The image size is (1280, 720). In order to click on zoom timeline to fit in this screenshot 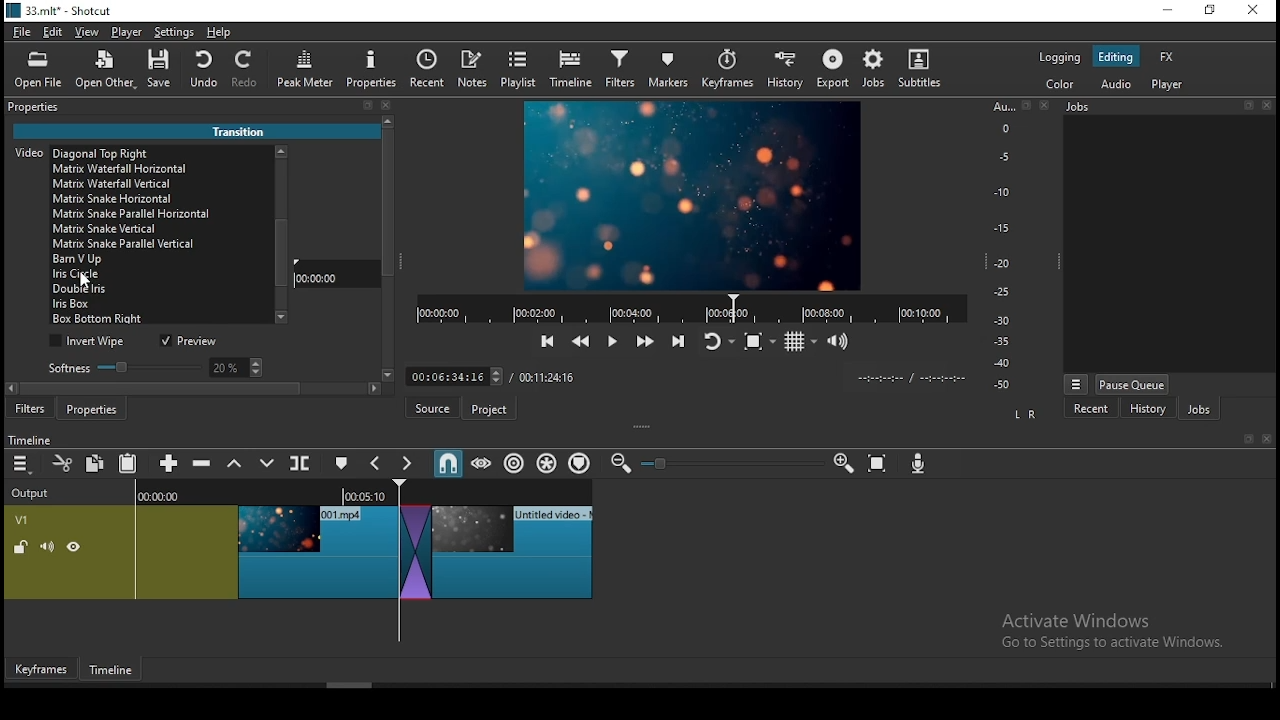, I will do `click(879, 466)`.